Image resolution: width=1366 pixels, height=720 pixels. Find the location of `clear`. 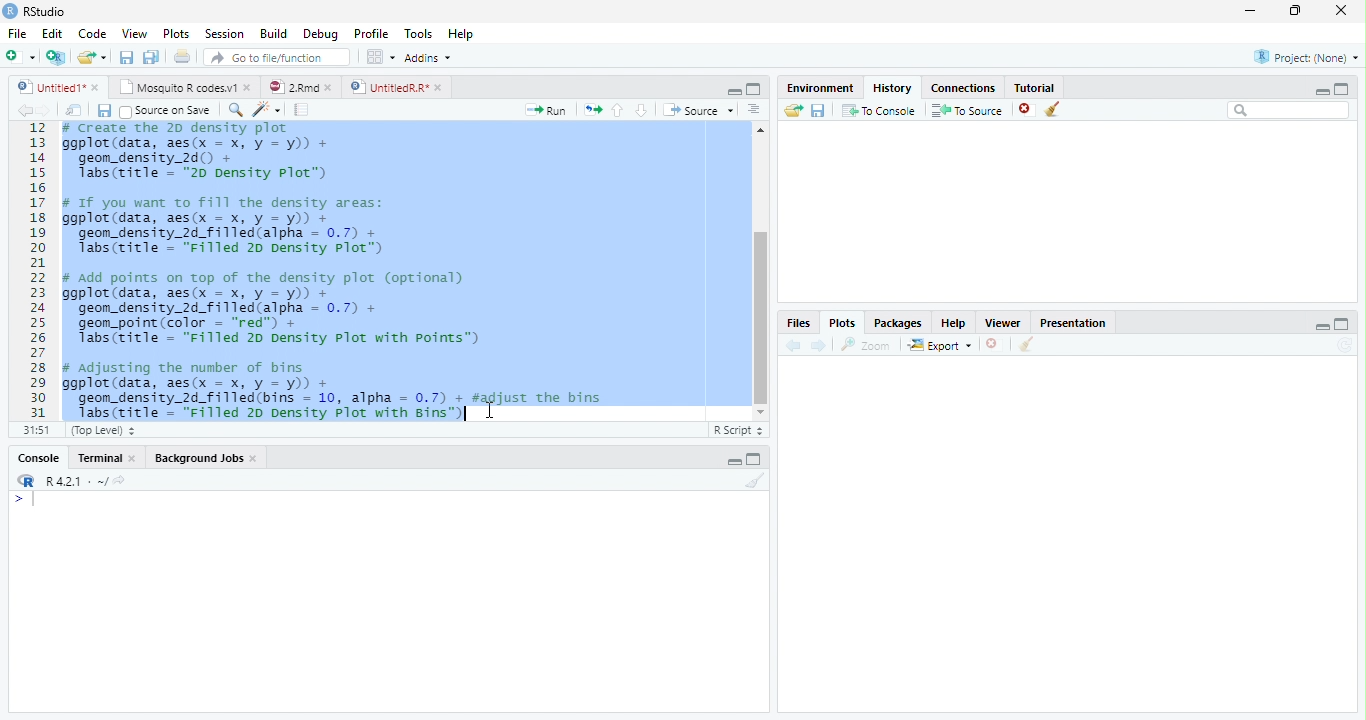

clear is located at coordinates (1026, 346).